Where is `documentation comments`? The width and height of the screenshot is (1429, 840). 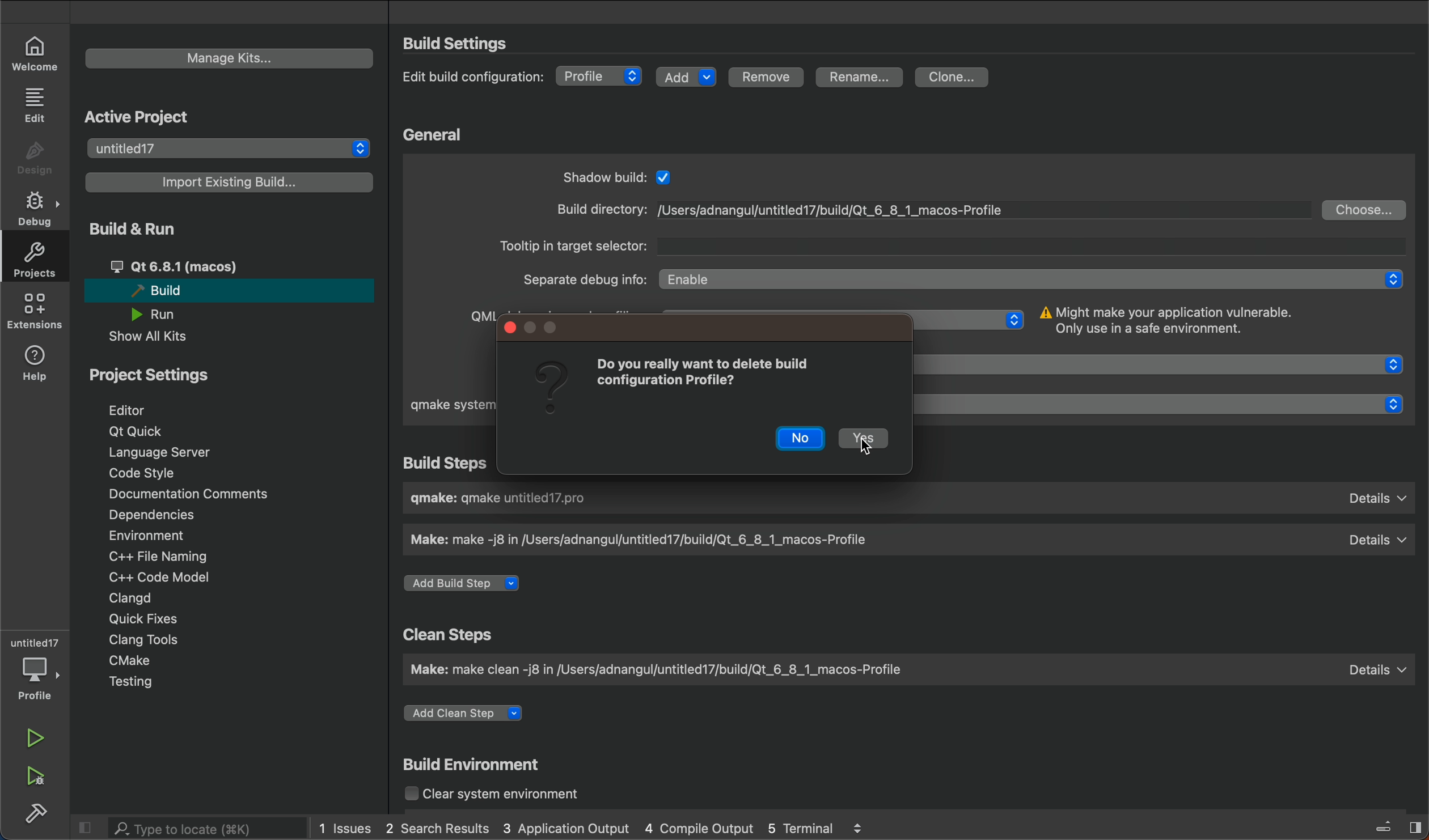 documentation comments is located at coordinates (192, 493).